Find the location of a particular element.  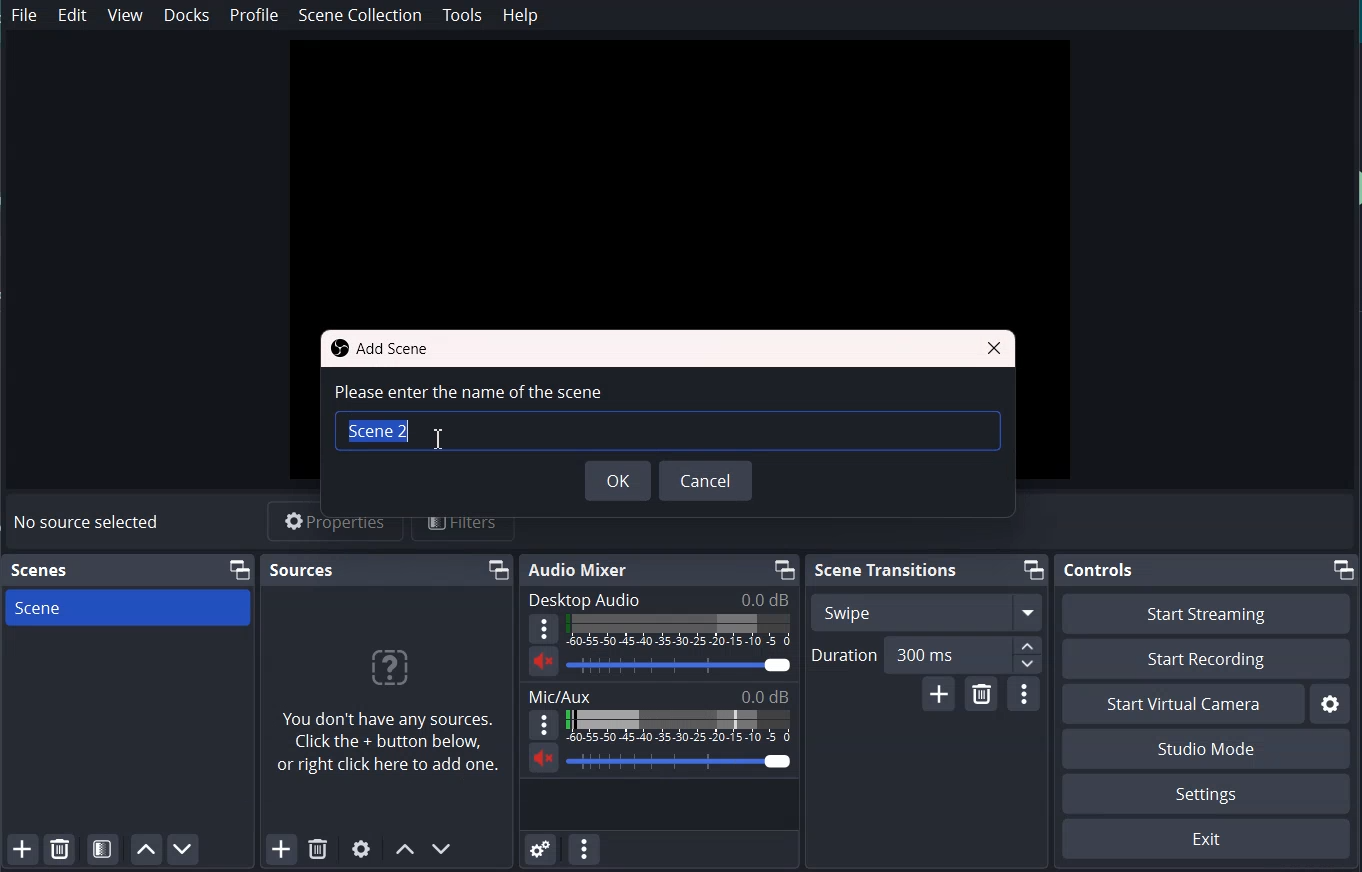

Properties is located at coordinates (337, 527).